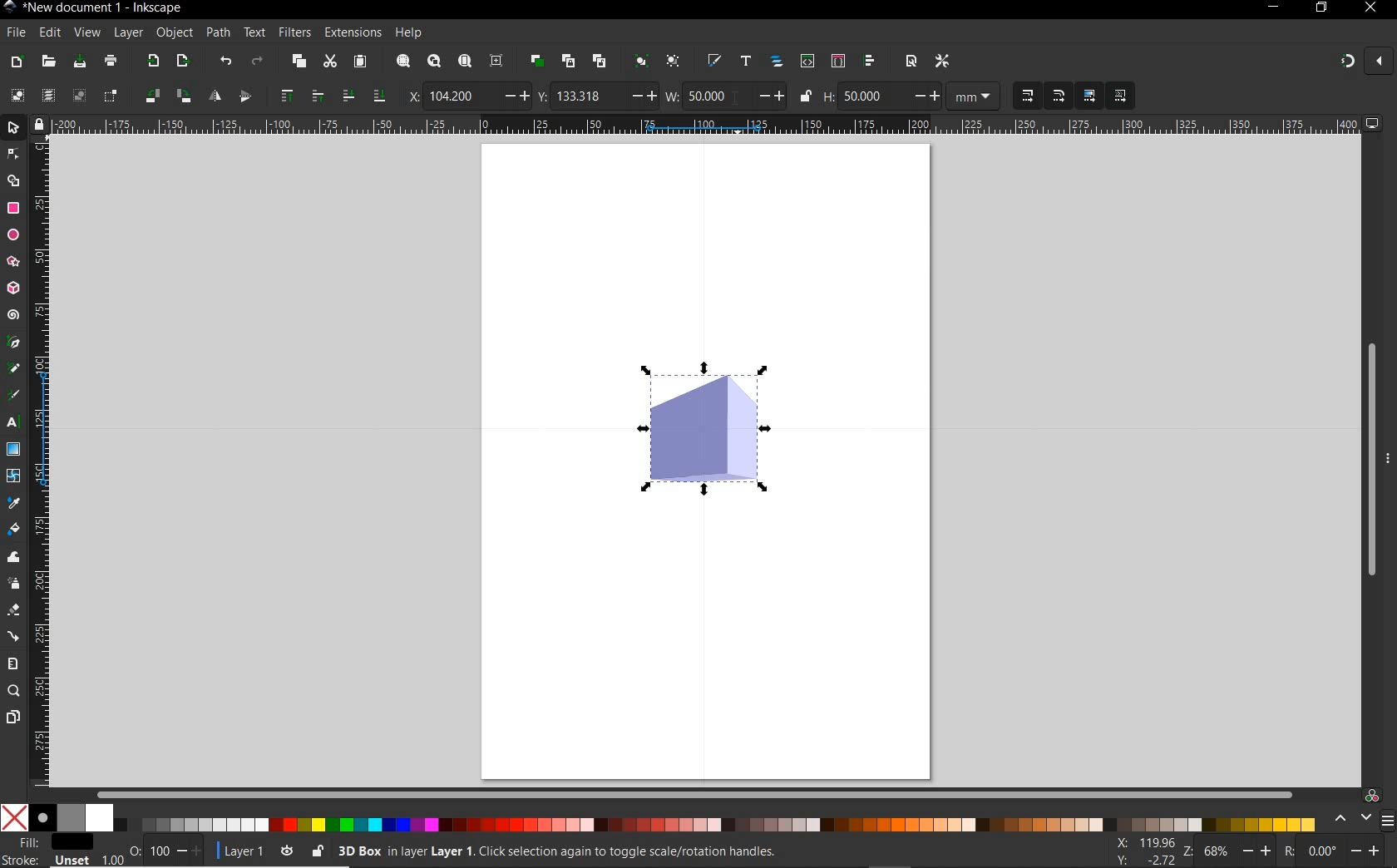 Image resolution: width=1397 pixels, height=868 pixels. What do you see at coordinates (1389, 457) in the screenshot?
I see `more options` at bounding box center [1389, 457].